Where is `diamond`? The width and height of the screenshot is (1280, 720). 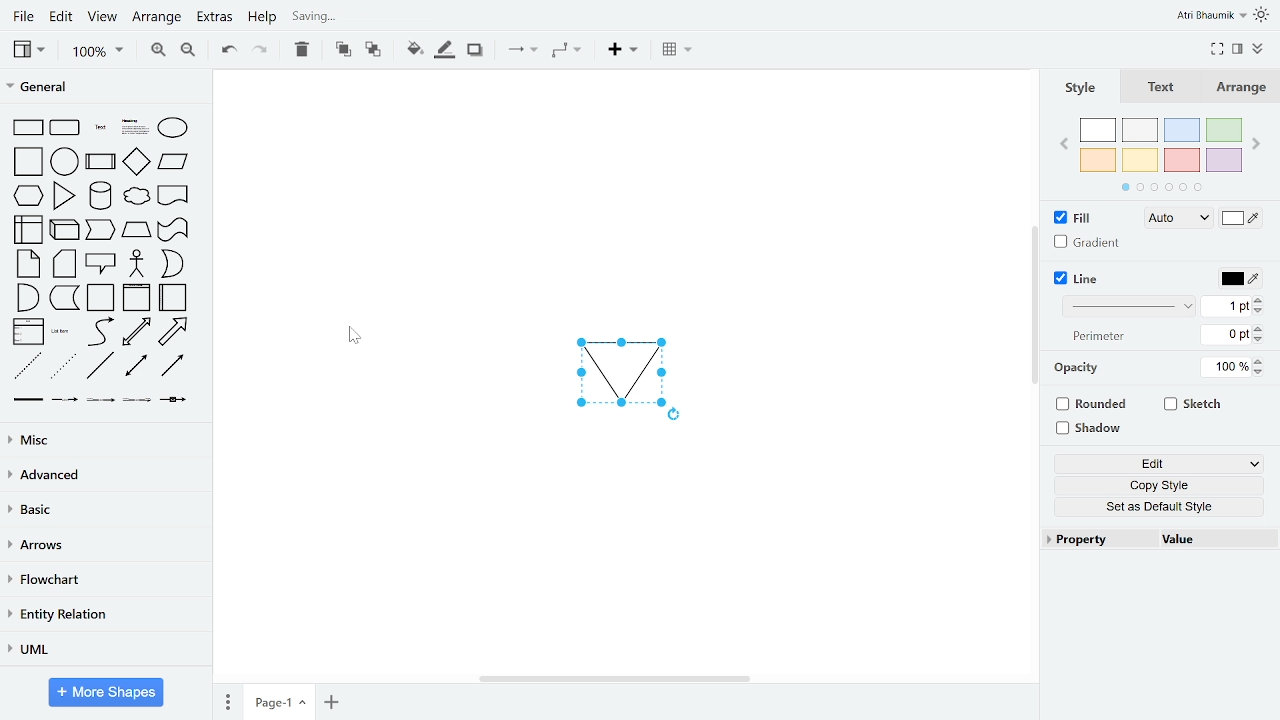 diamond is located at coordinates (136, 162).